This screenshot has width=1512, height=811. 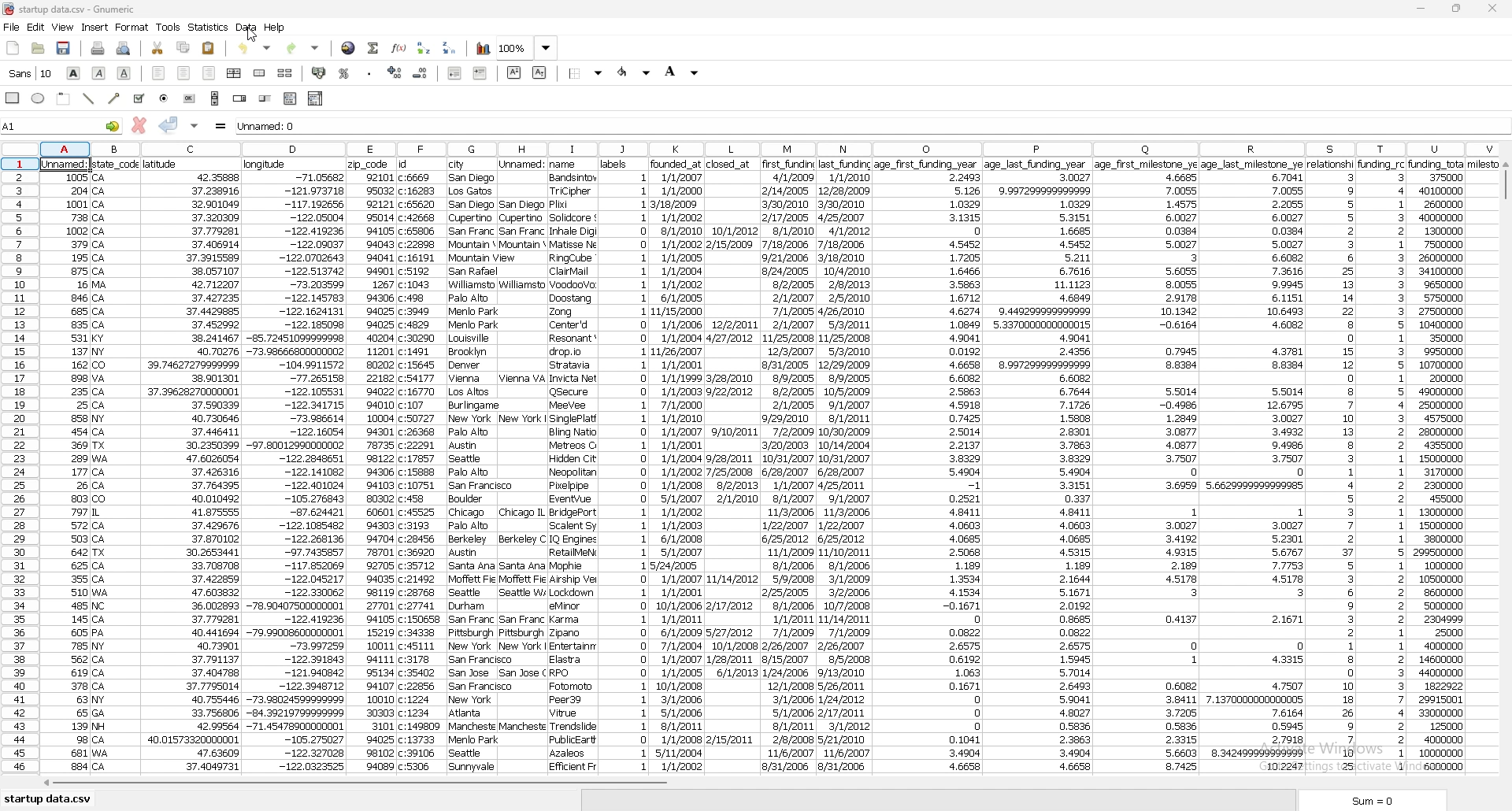 I want to click on sheet, so click(x=48, y=800).